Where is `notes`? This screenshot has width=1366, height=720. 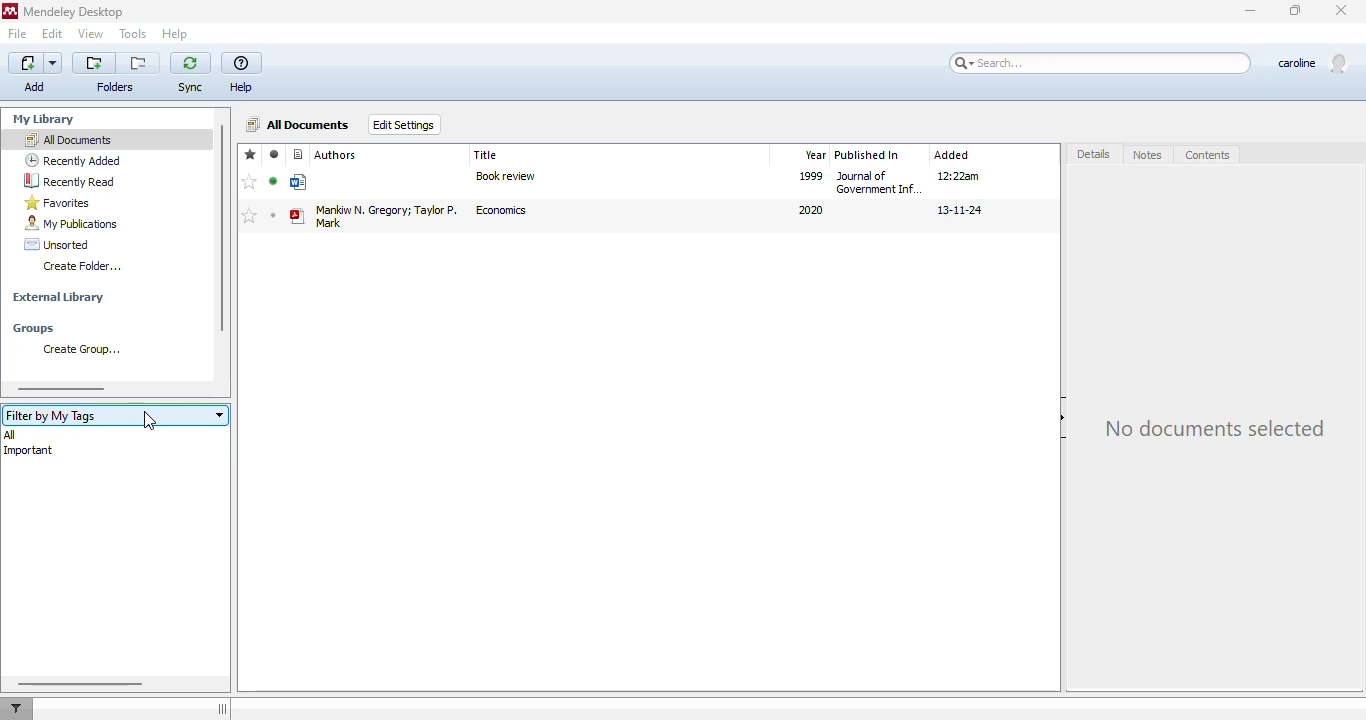
notes is located at coordinates (1147, 155).